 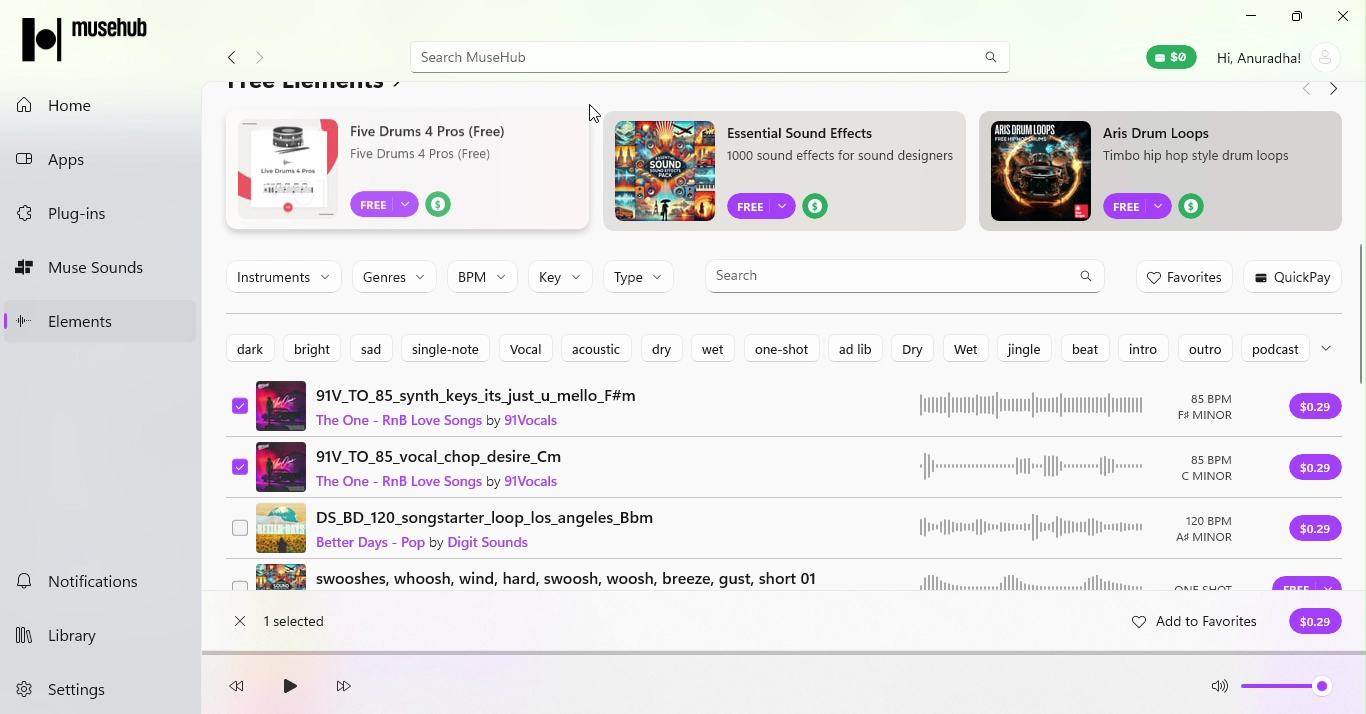 What do you see at coordinates (228, 59) in the screenshot?
I see `Navigate back` at bounding box center [228, 59].